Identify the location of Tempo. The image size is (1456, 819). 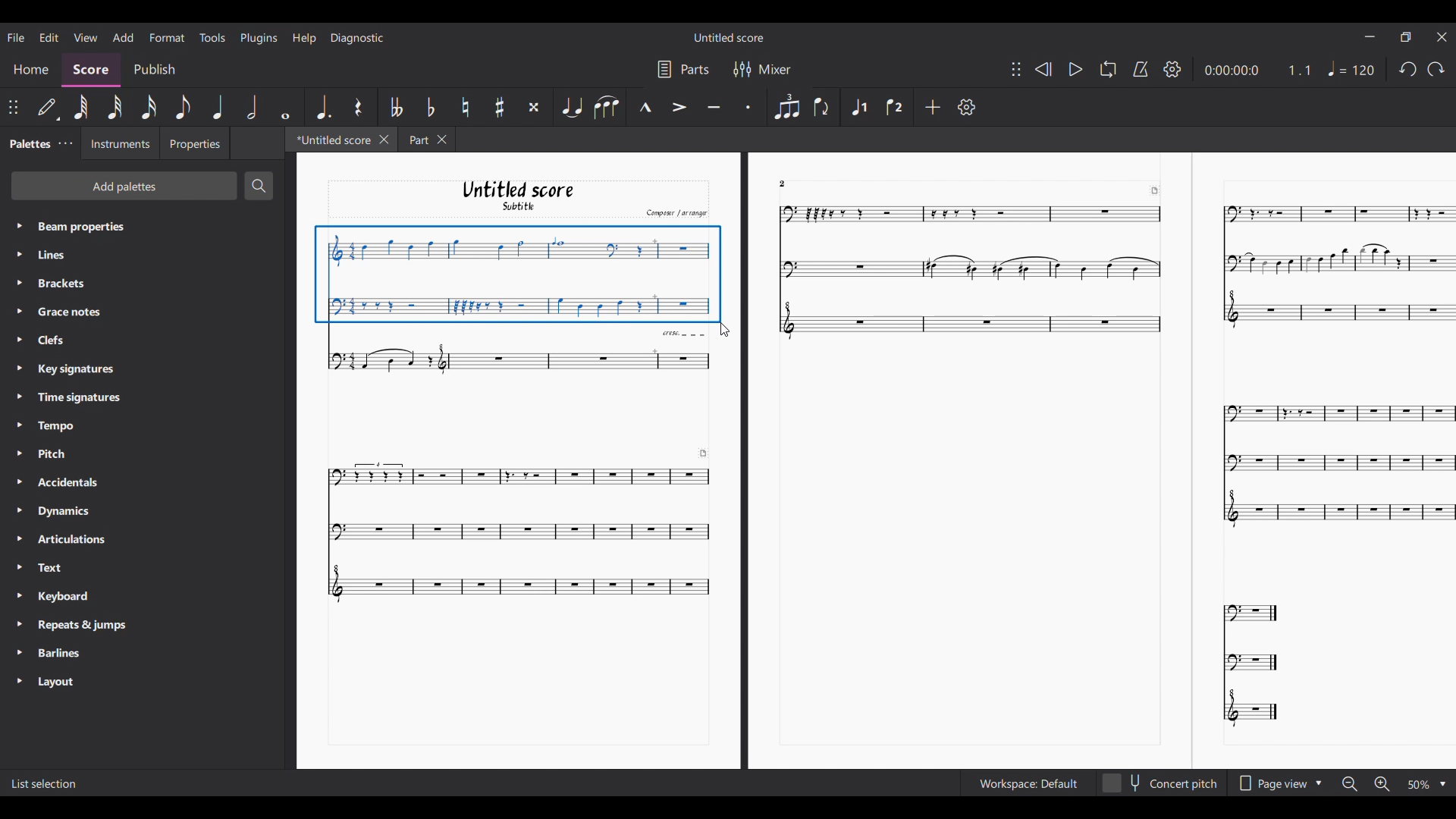
(1354, 68).